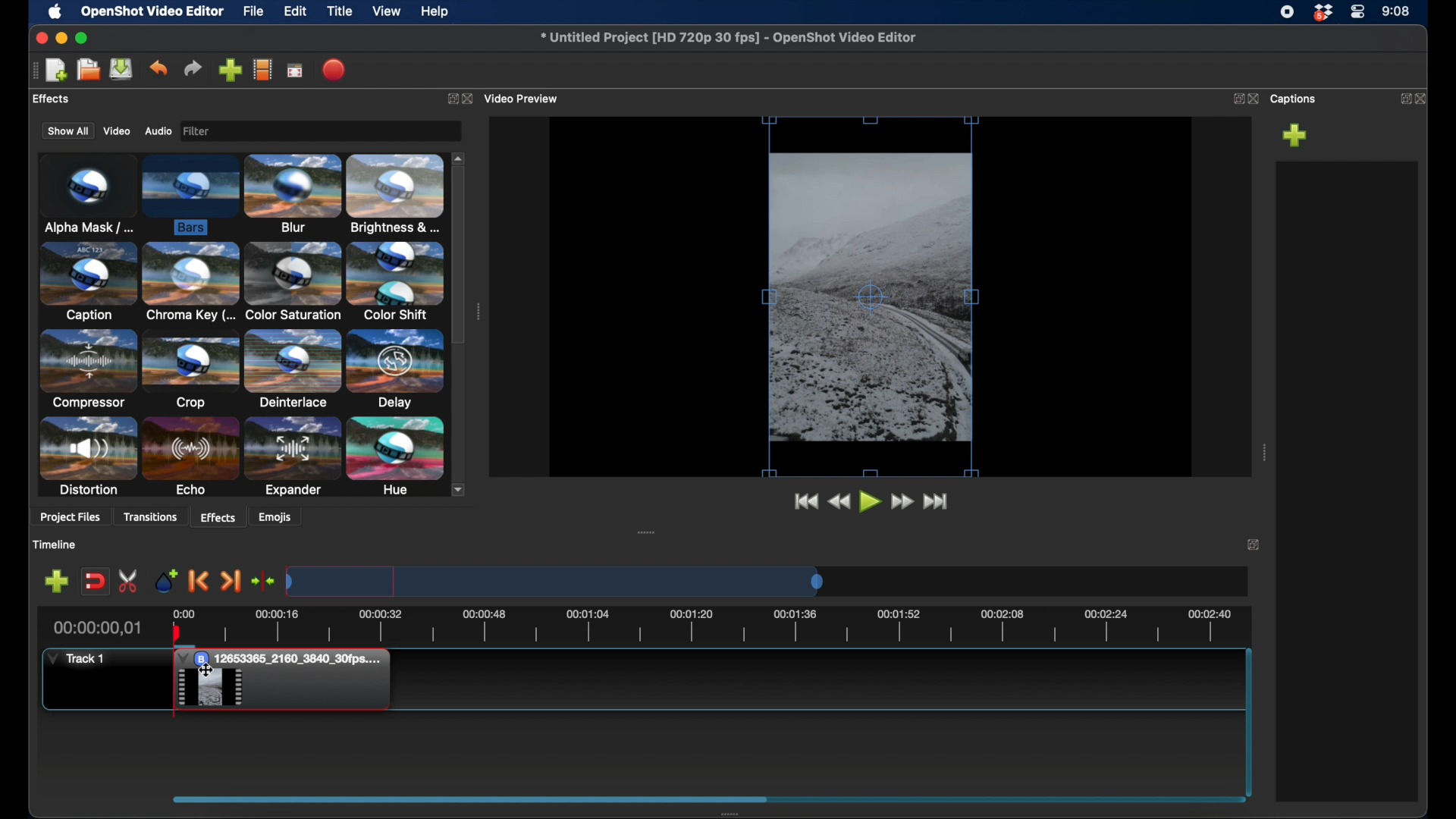 This screenshot has height=819, width=1456. Describe the element at coordinates (1287, 12) in the screenshot. I see `screen recorder icon` at that location.